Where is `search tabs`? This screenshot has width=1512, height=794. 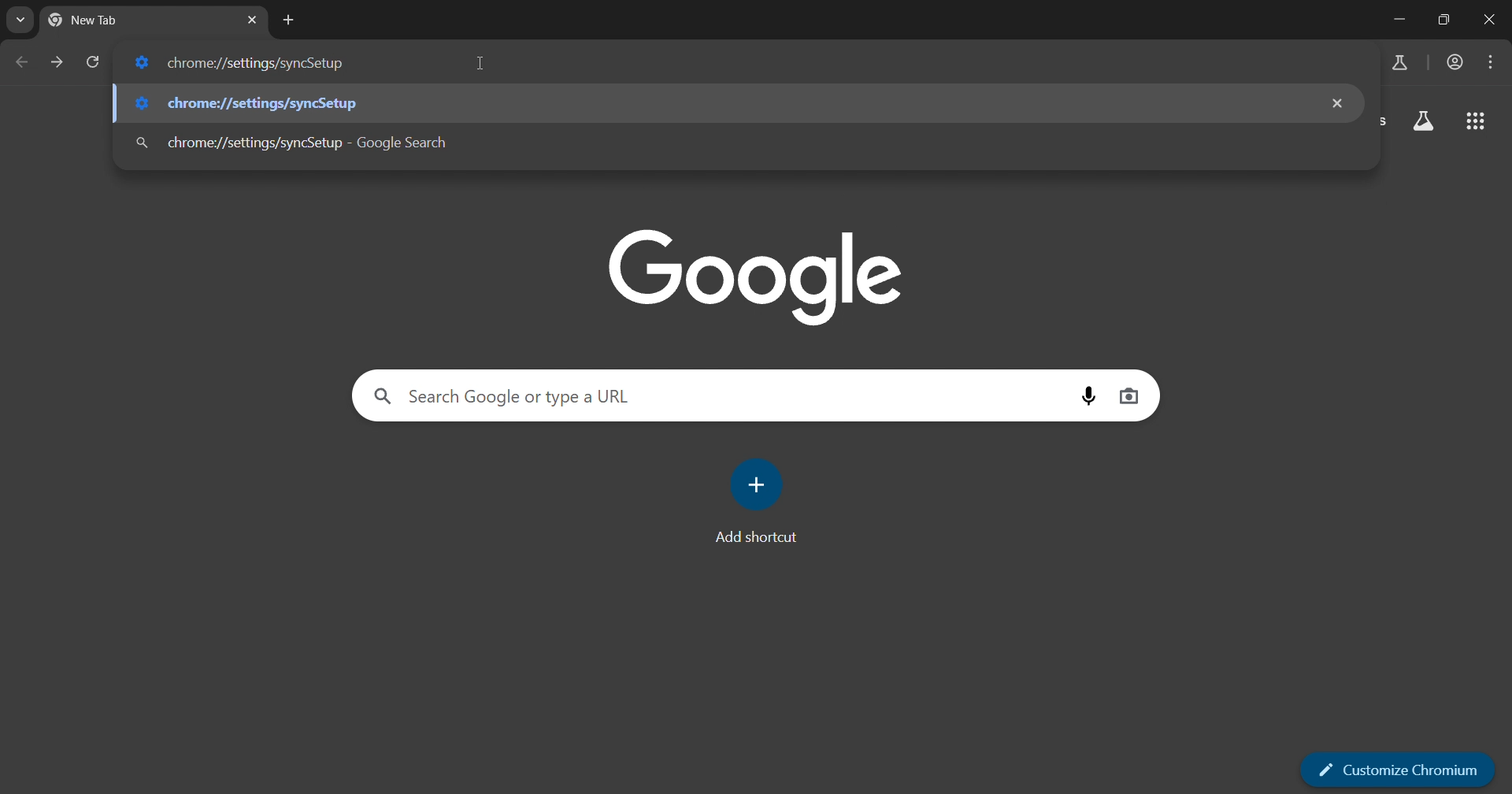 search tabs is located at coordinates (19, 20).